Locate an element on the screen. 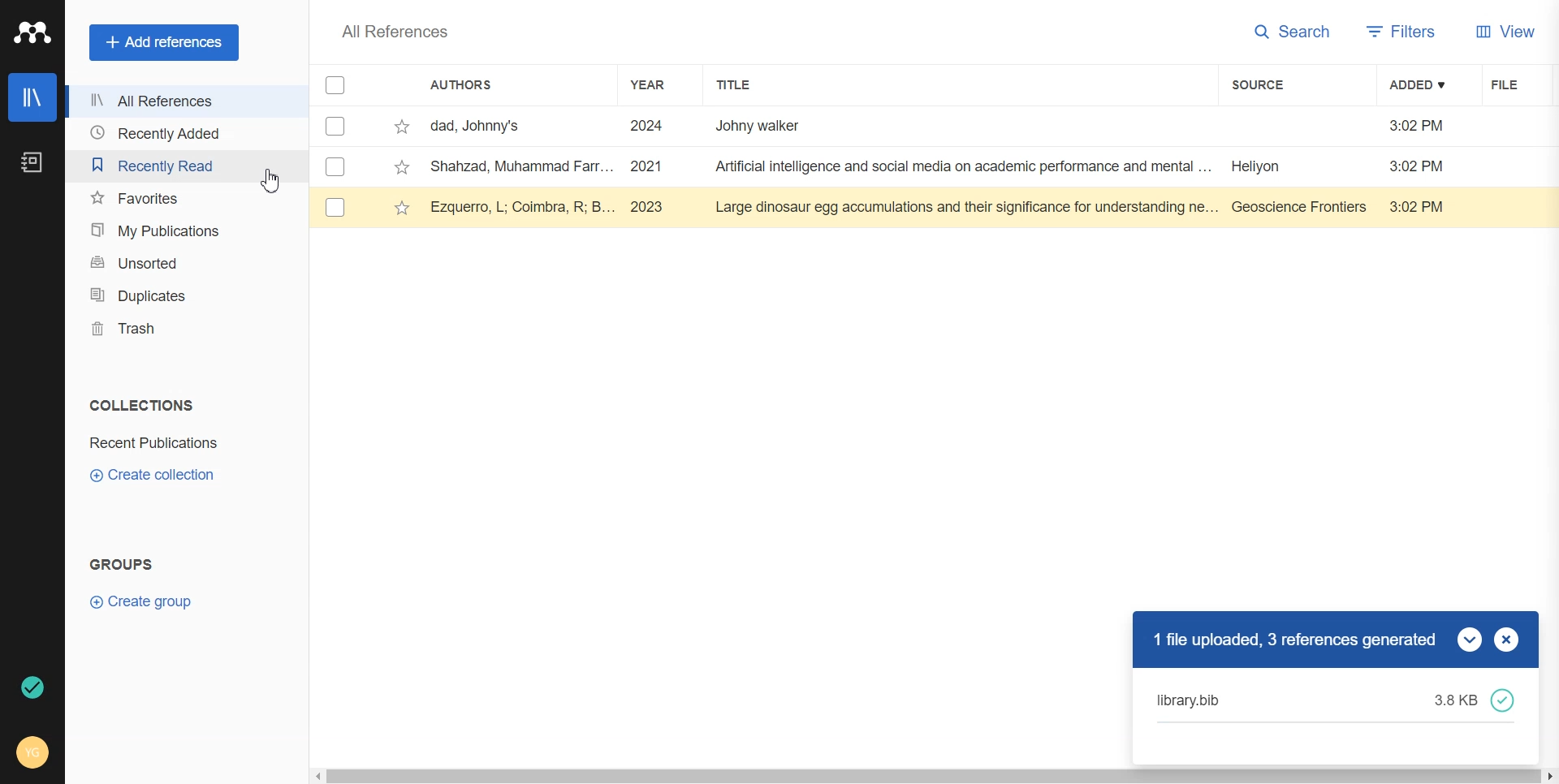 Image resolution: width=1559 pixels, height=784 pixels. Source is located at coordinates (1261, 84).